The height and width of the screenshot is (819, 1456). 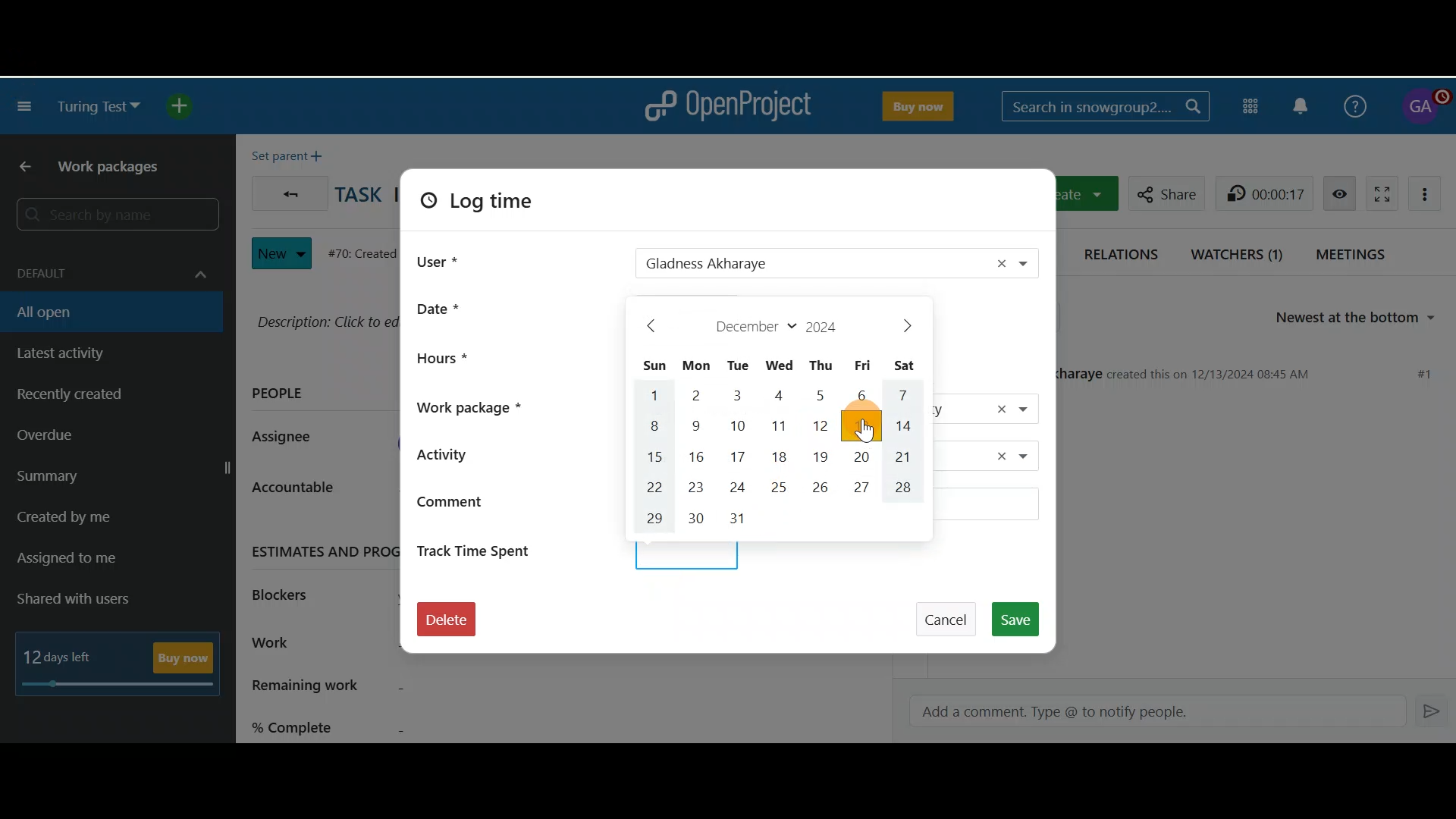 I want to click on OpenProject, so click(x=727, y=106).